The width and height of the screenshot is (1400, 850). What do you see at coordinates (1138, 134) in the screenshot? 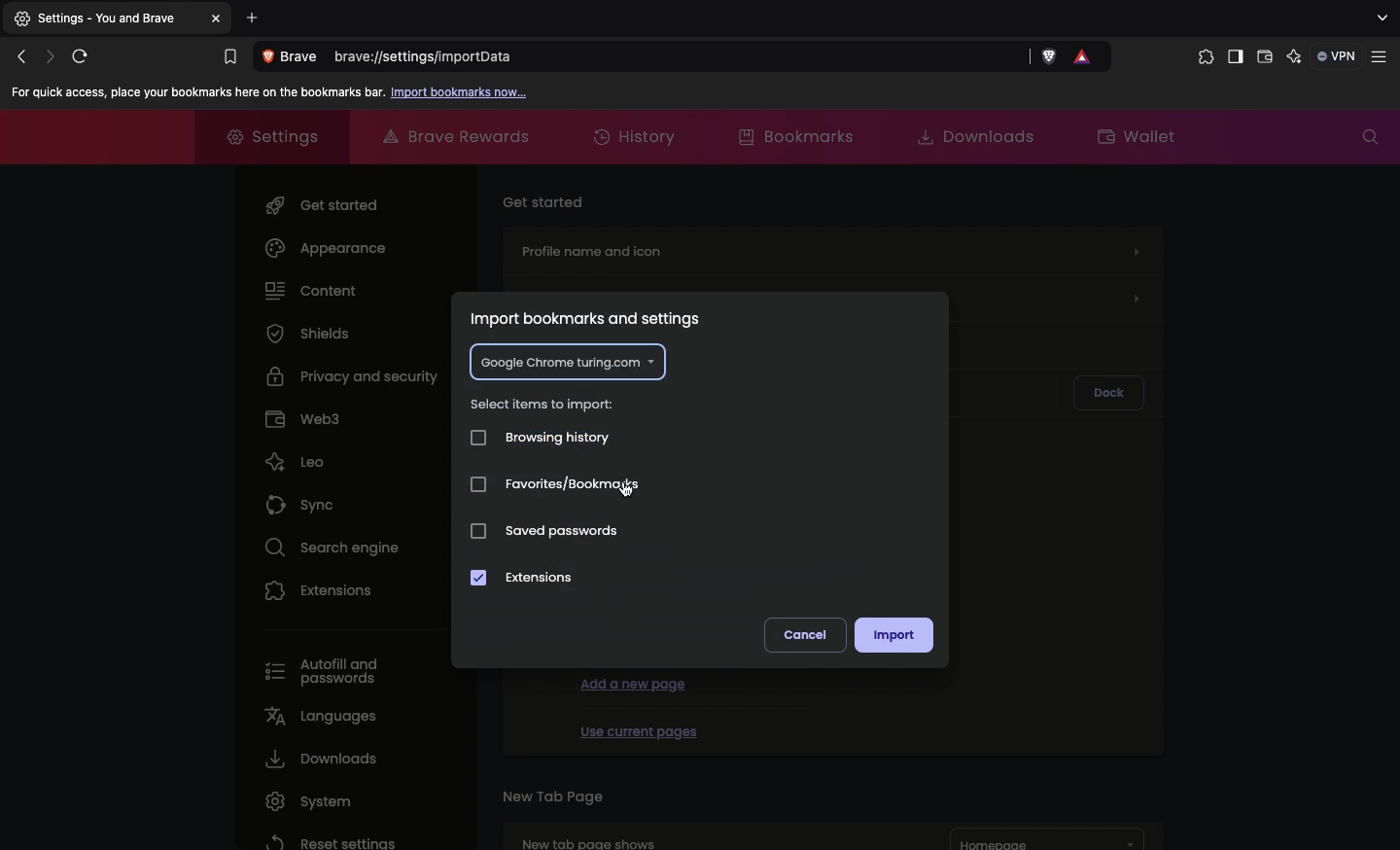
I see `Wallet` at bounding box center [1138, 134].